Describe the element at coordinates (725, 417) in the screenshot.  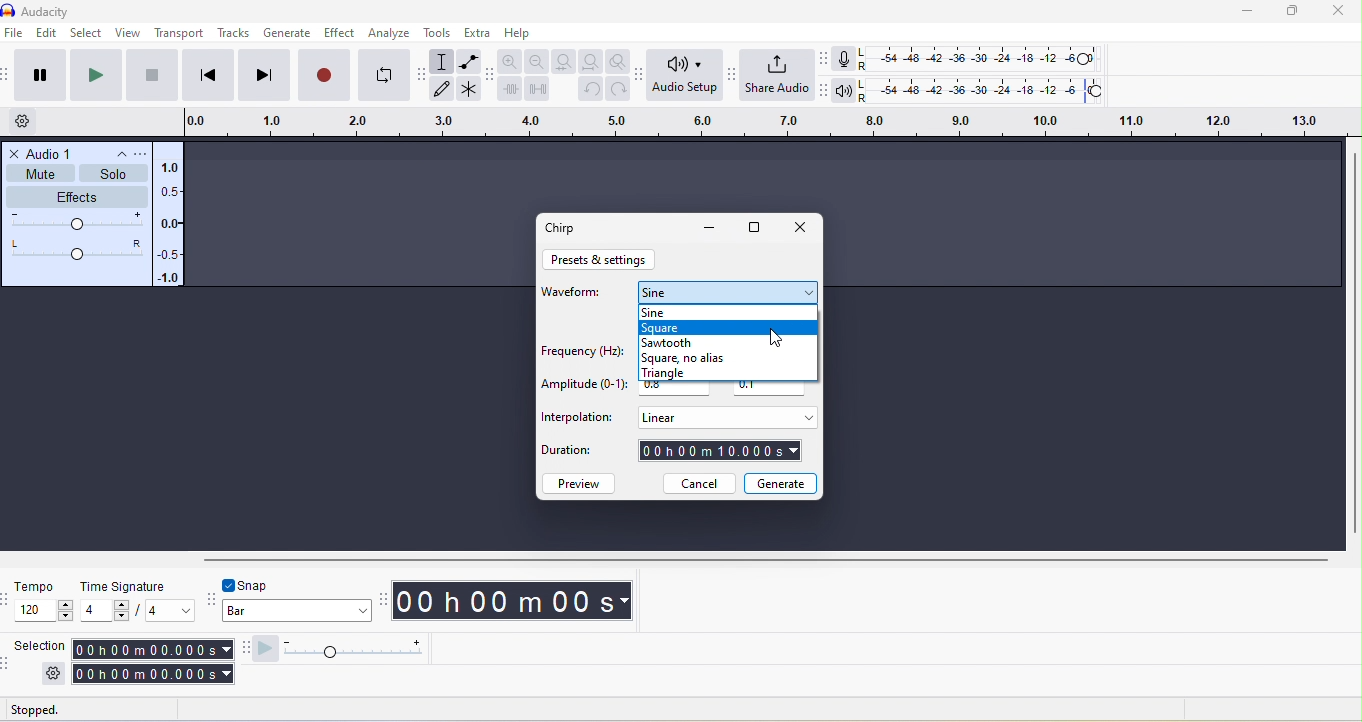
I see `linear` at that location.